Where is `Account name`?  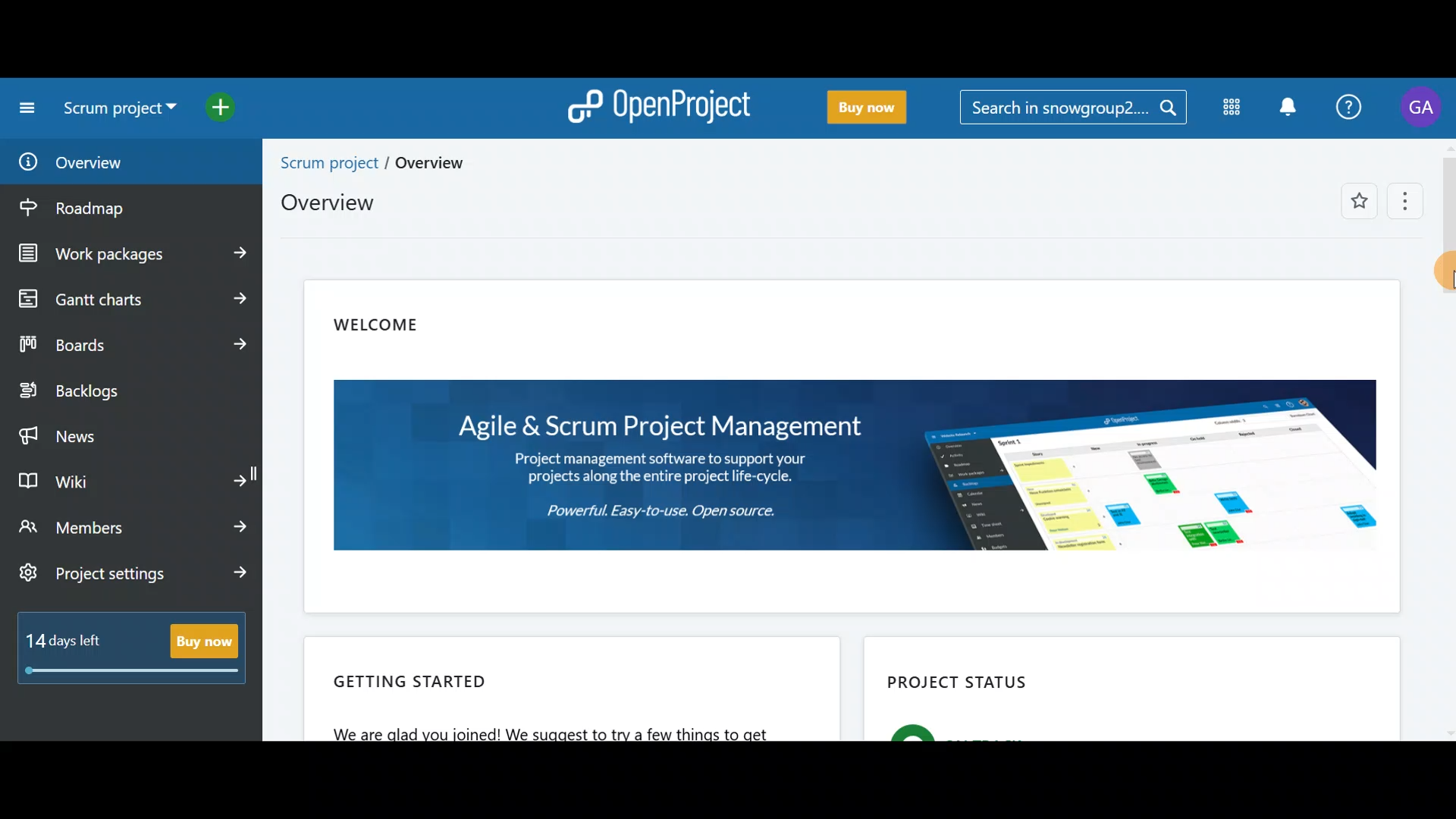 Account name is located at coordinates (1424, 108).